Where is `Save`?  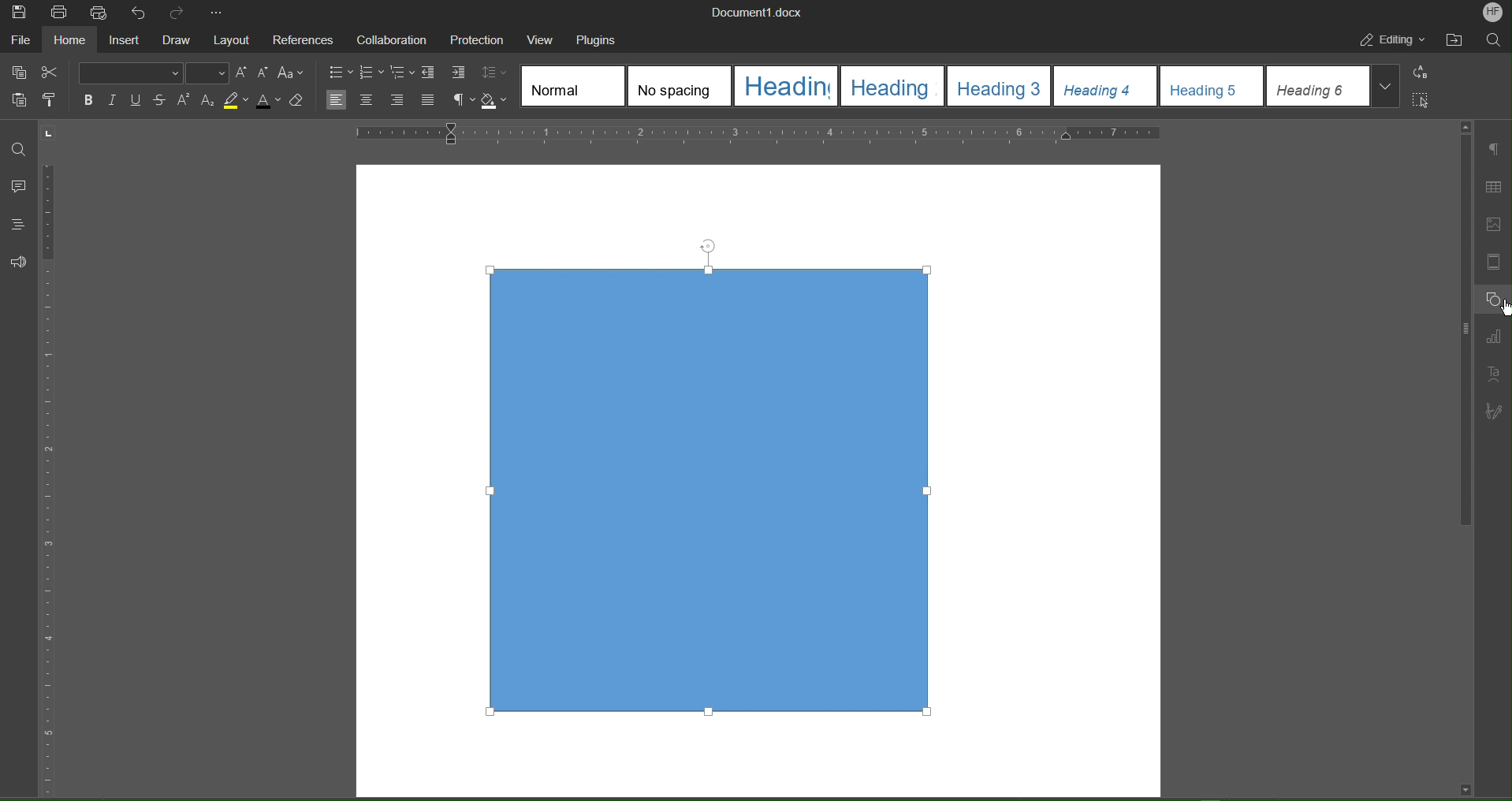
Save is located at coordinates (17, 12).